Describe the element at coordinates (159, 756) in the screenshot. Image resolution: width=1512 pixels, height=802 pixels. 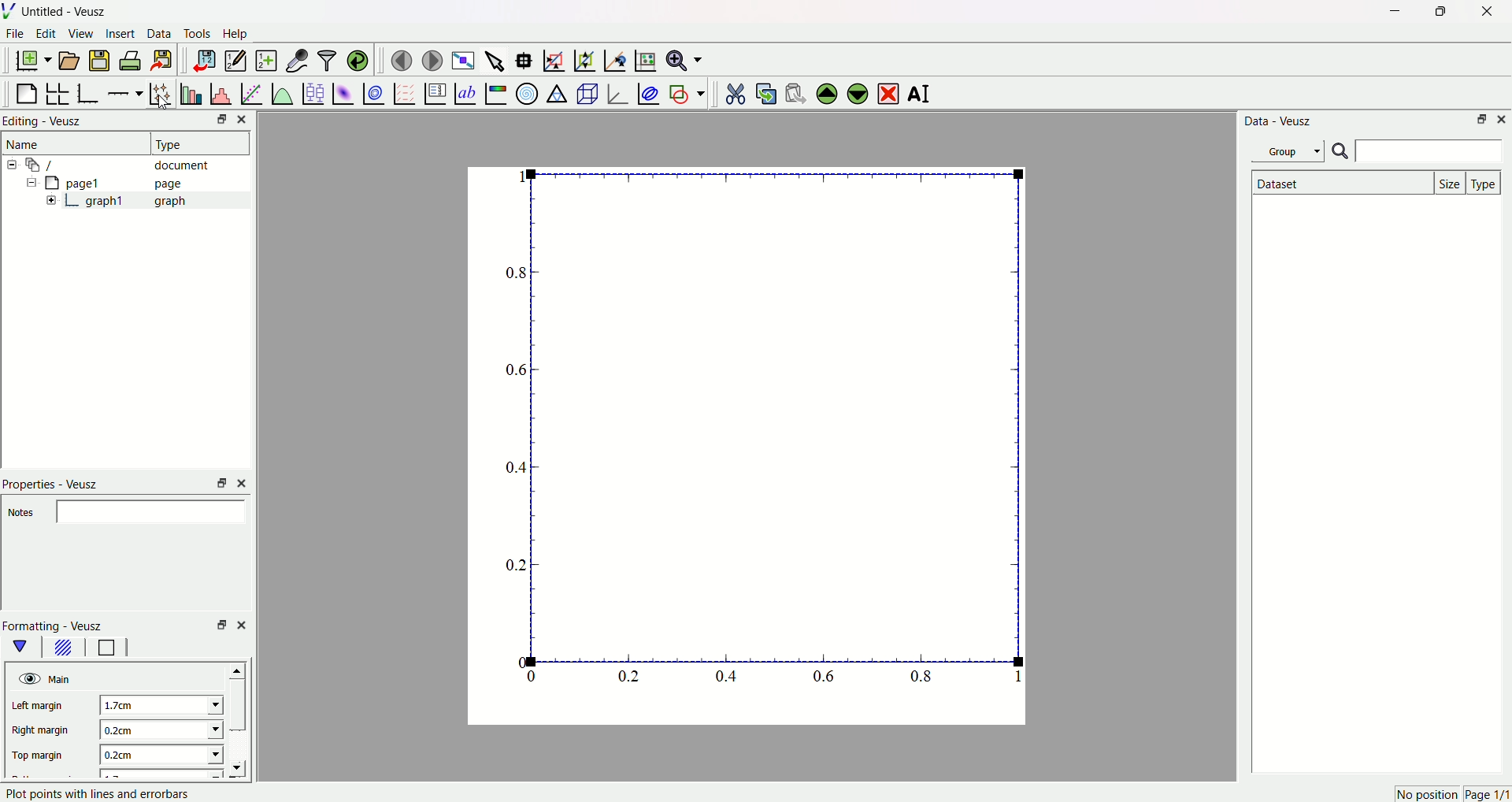
I see `0.2 cm` at that location.